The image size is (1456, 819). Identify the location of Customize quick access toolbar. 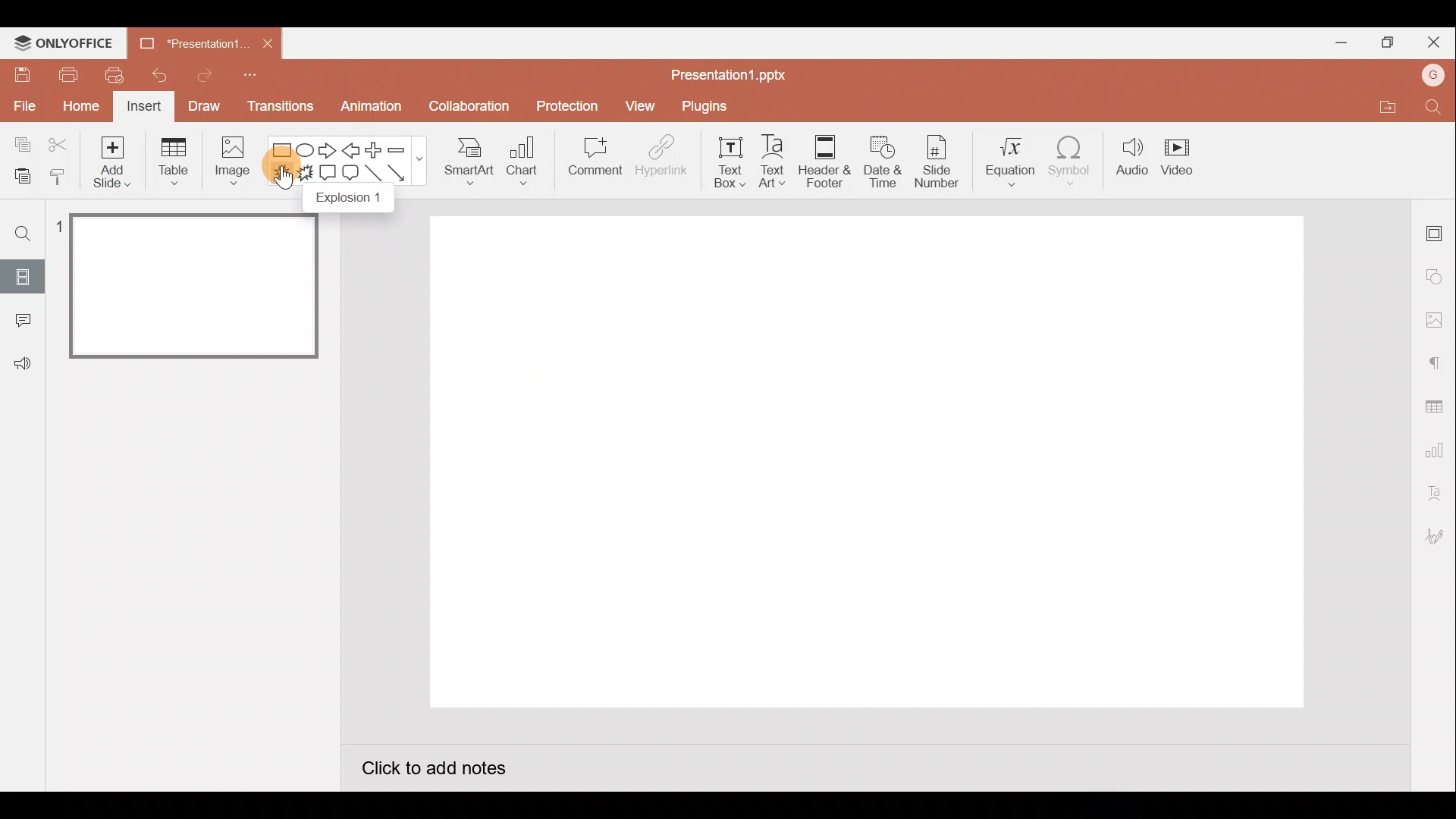
(254, 77).